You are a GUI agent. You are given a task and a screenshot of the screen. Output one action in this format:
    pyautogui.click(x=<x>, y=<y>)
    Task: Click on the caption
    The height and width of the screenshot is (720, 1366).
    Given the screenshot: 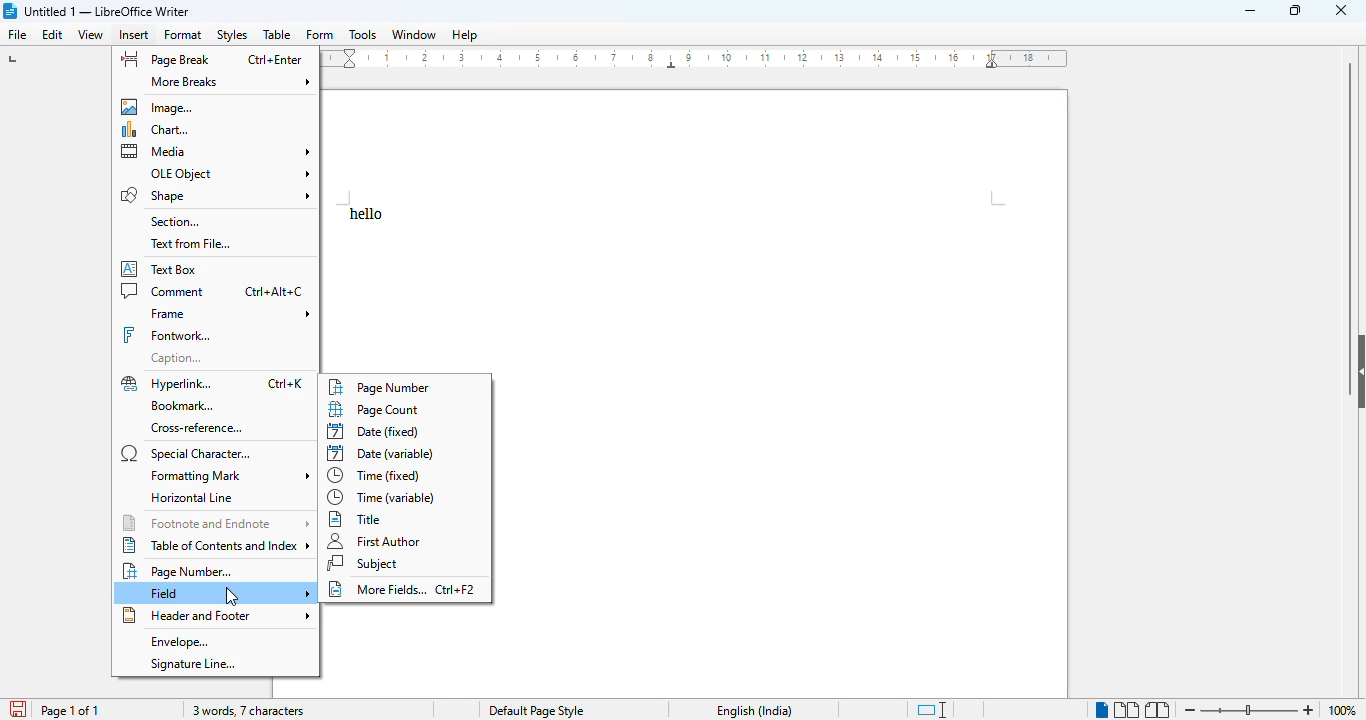 What is the action you would take?
    pyautogui.click(x=178, y=359)
    